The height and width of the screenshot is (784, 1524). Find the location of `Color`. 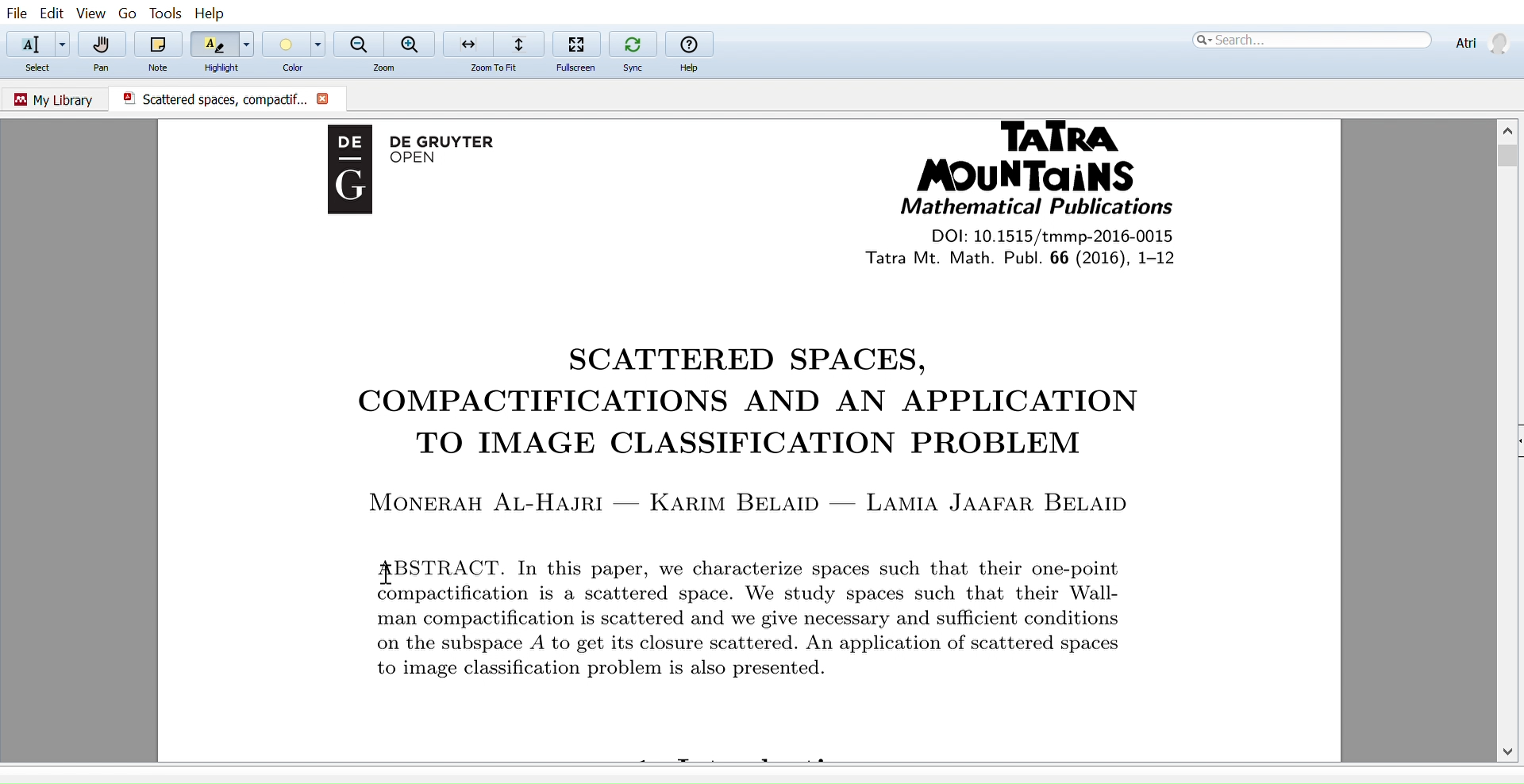

Color is located at coordinates (287, 70).